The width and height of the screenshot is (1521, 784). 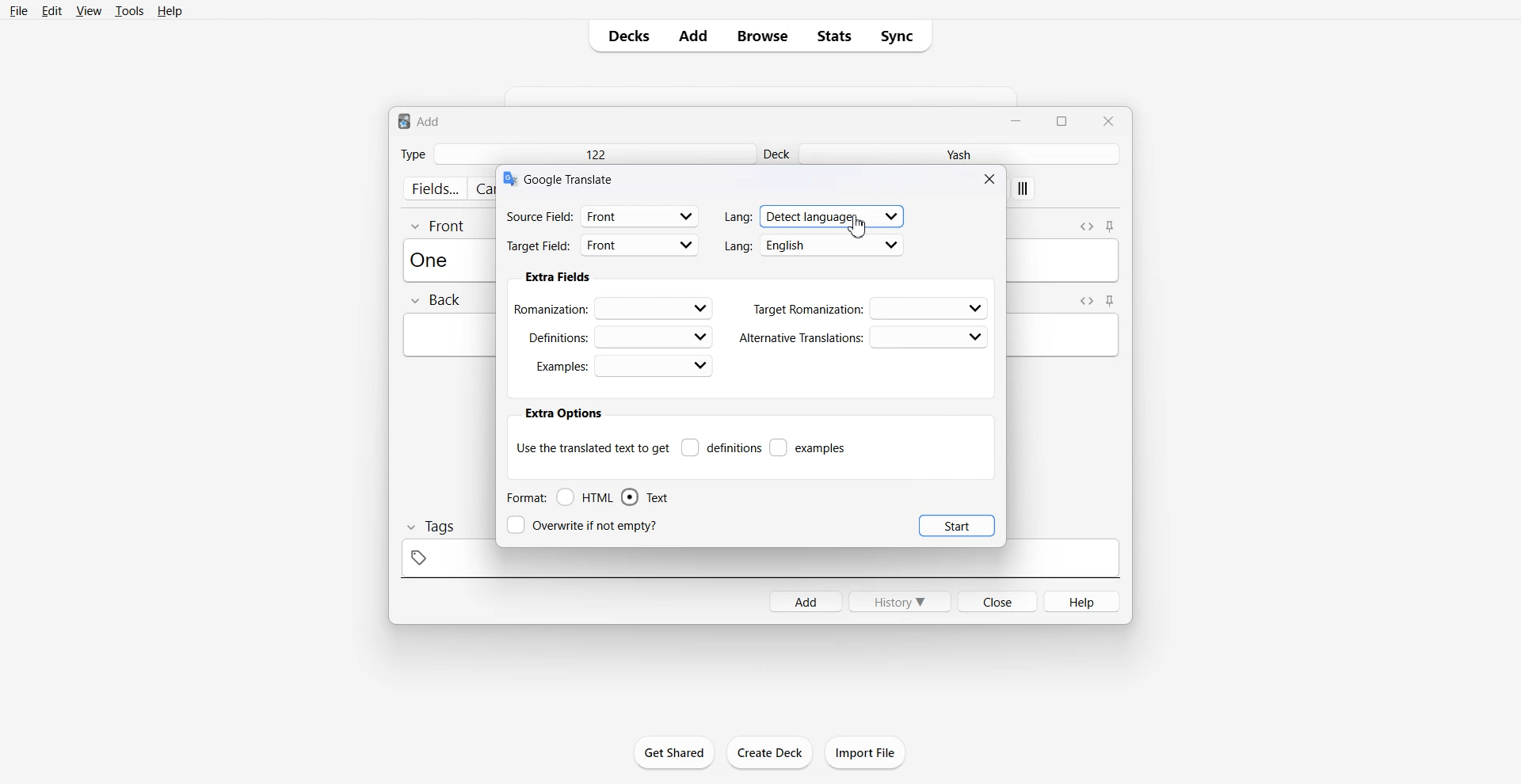 I want to click on logo, so click(x=509, y=179).